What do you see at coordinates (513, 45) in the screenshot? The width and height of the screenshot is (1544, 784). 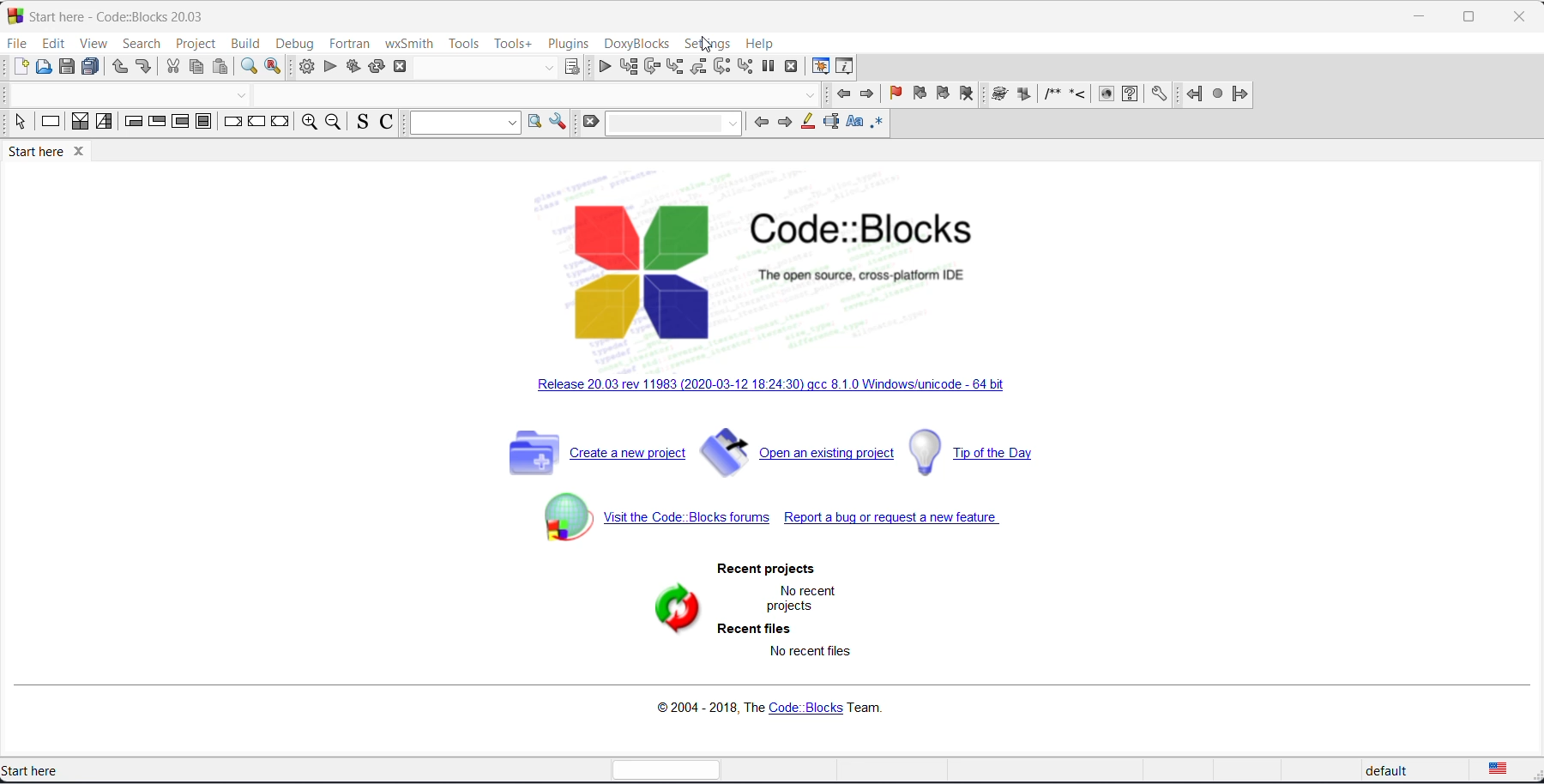 I see `tools+` at bounding box center [513, 45].